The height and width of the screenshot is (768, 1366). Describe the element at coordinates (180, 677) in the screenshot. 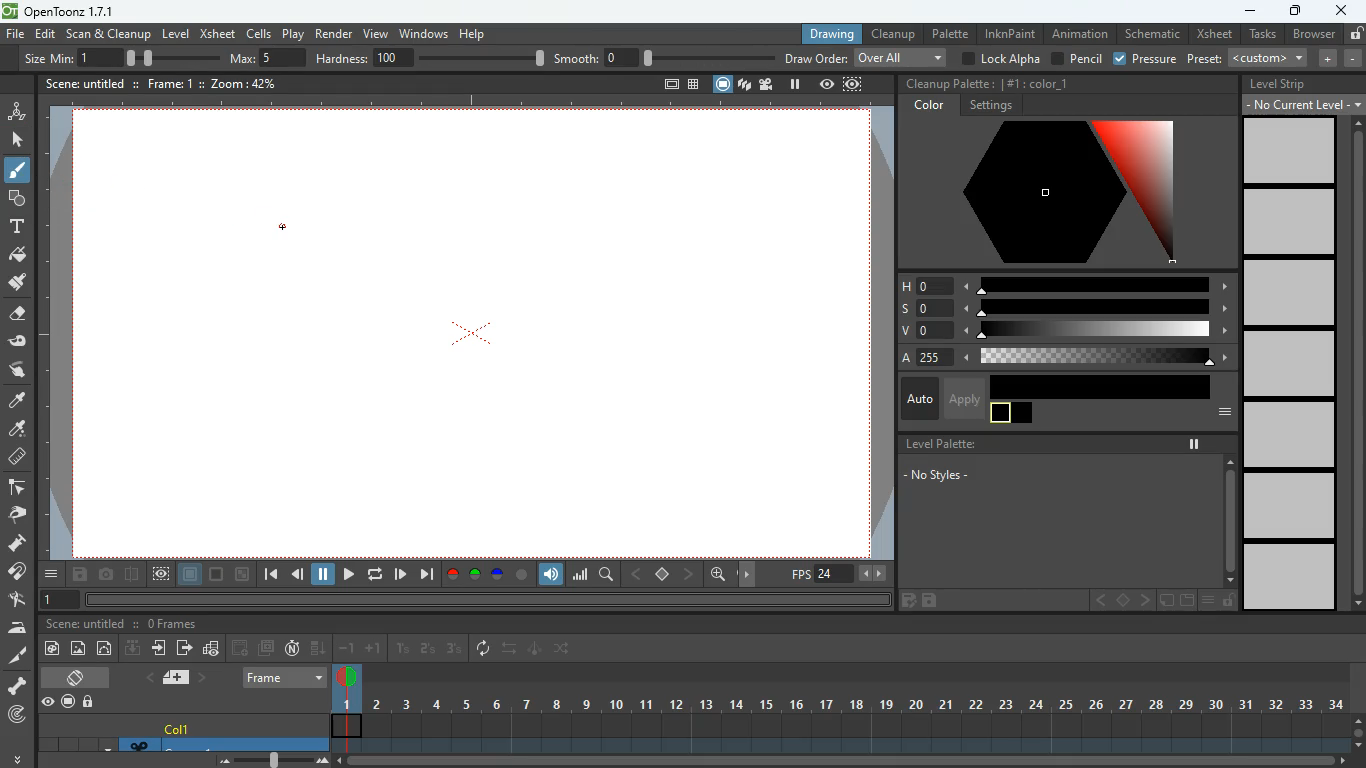

I see `document` at that location.